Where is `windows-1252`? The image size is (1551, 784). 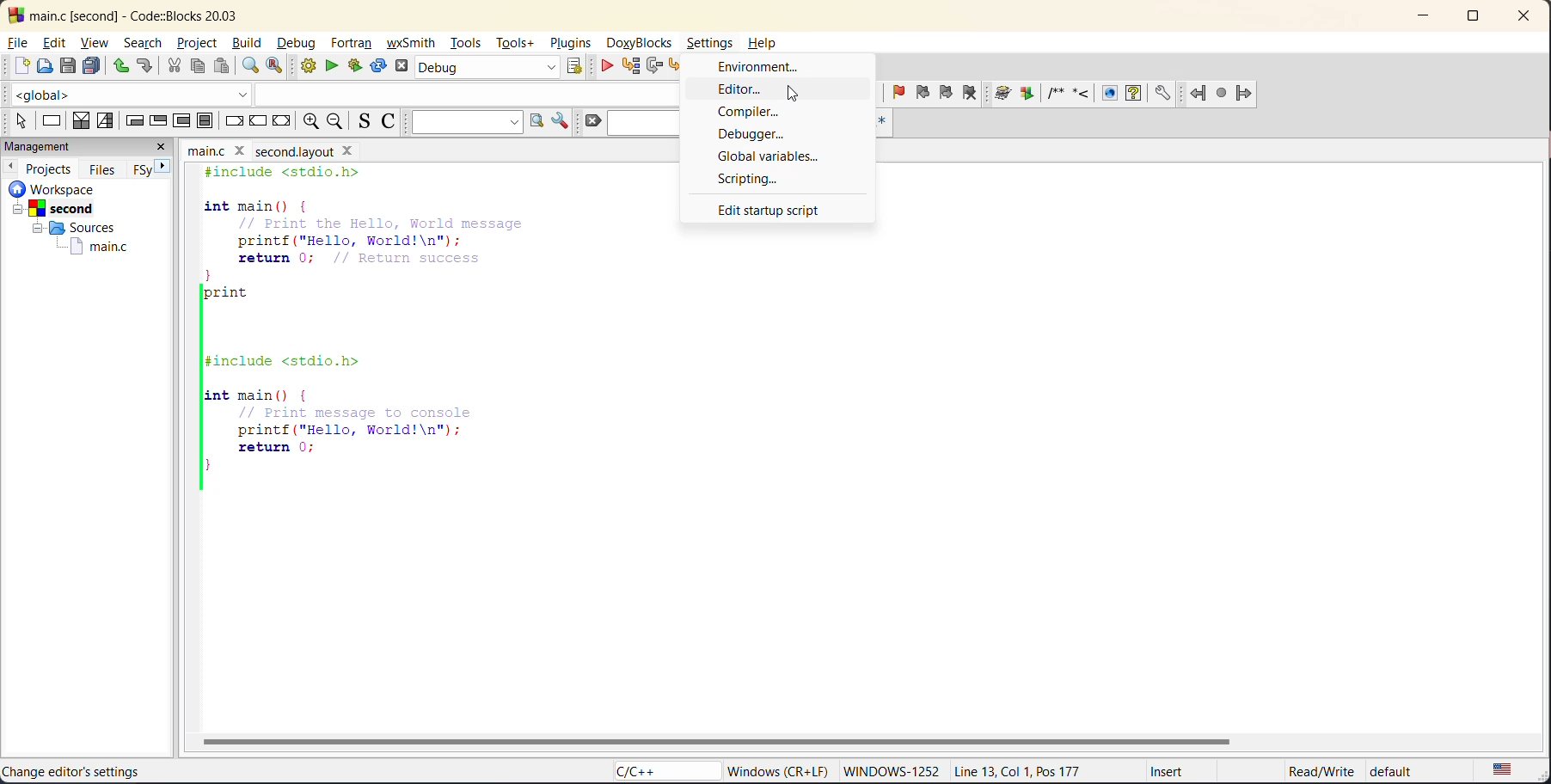
windows-1252 is located at coordinates (891, 772).